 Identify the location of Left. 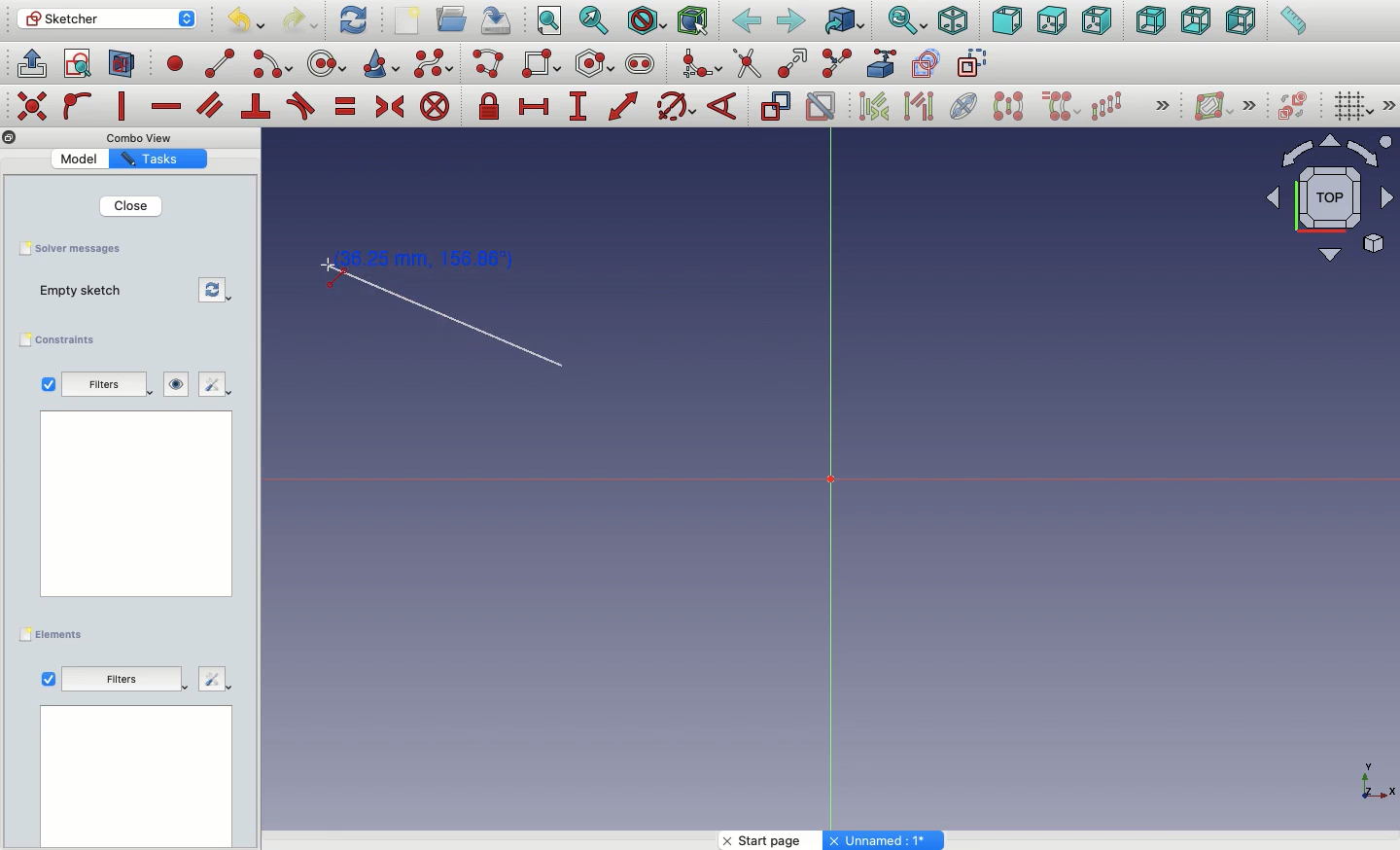
(1242, 22).